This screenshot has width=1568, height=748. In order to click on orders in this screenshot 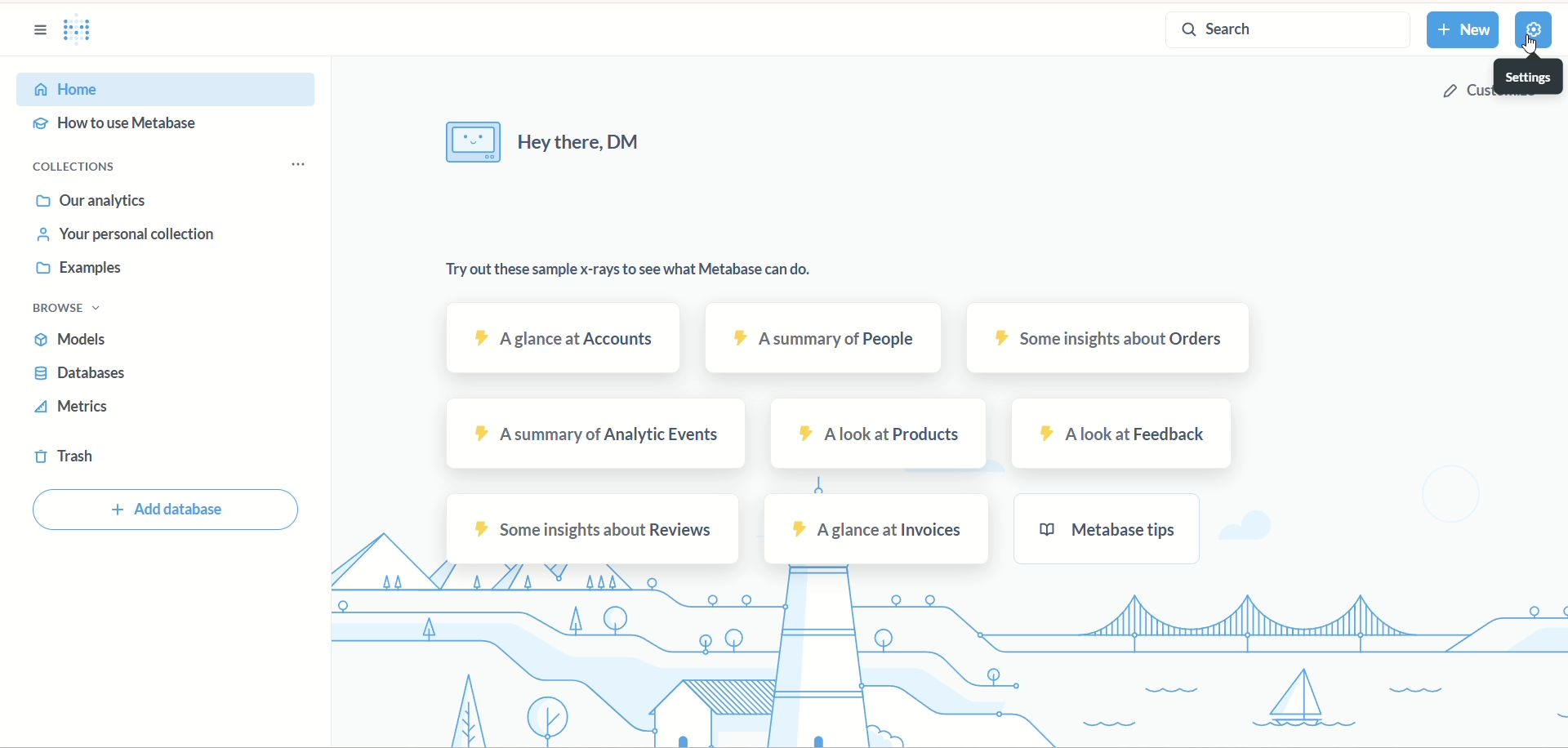, I will do `click(1111, 339)`.